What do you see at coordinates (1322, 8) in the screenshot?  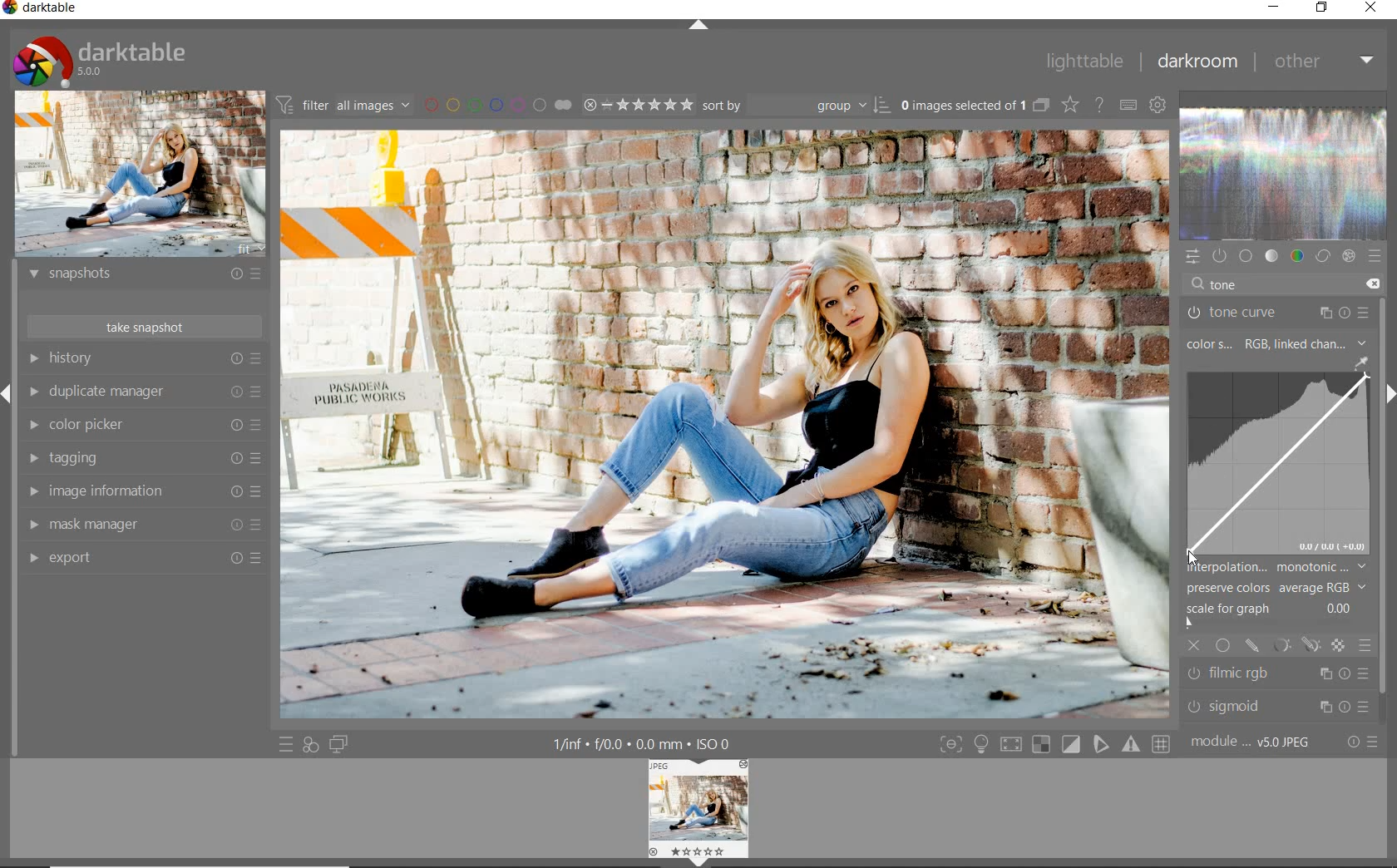 I see `restore` at bounding box center [1322, 8].